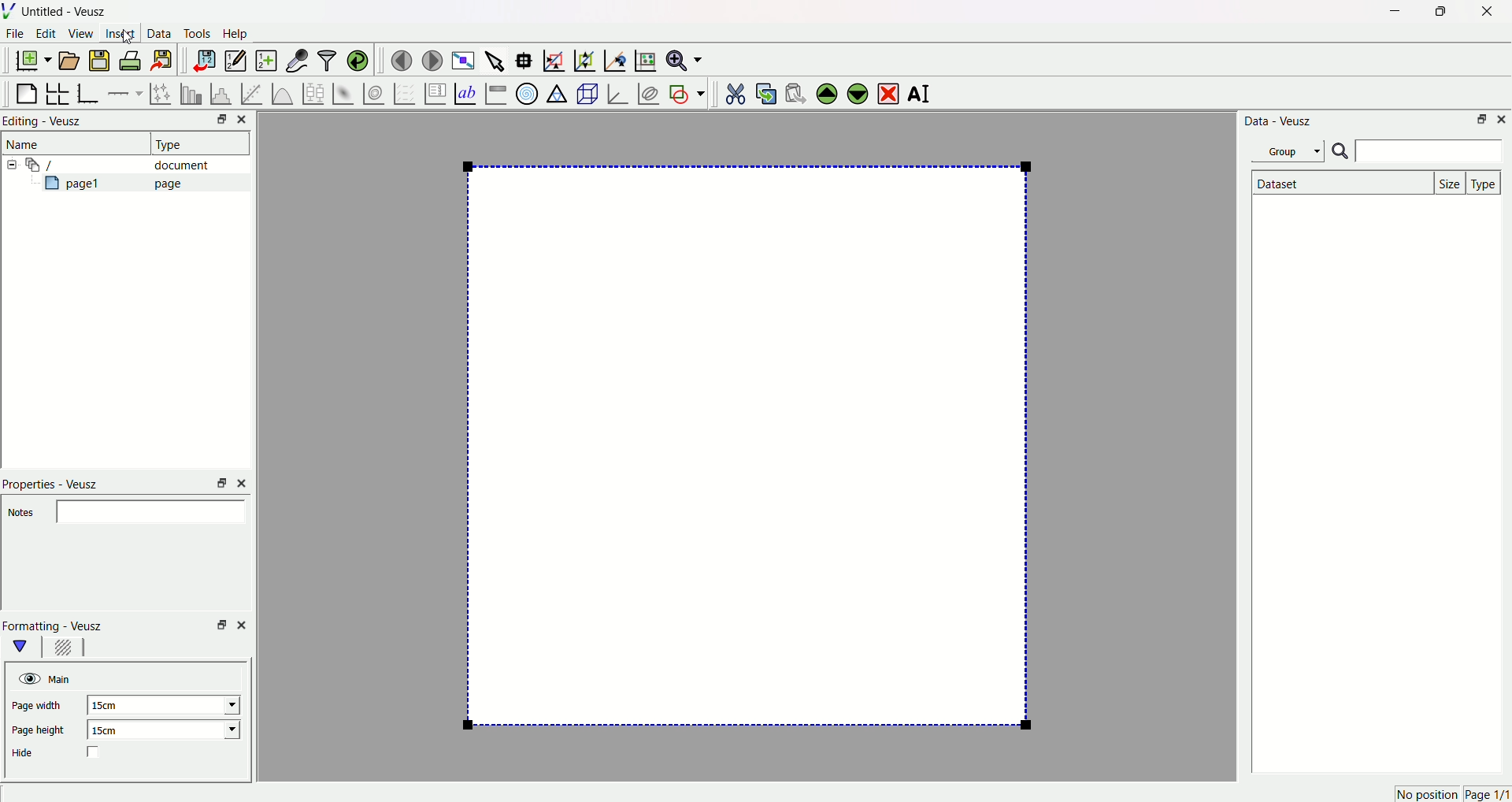  I want to click on Group, so click(1291, 150).